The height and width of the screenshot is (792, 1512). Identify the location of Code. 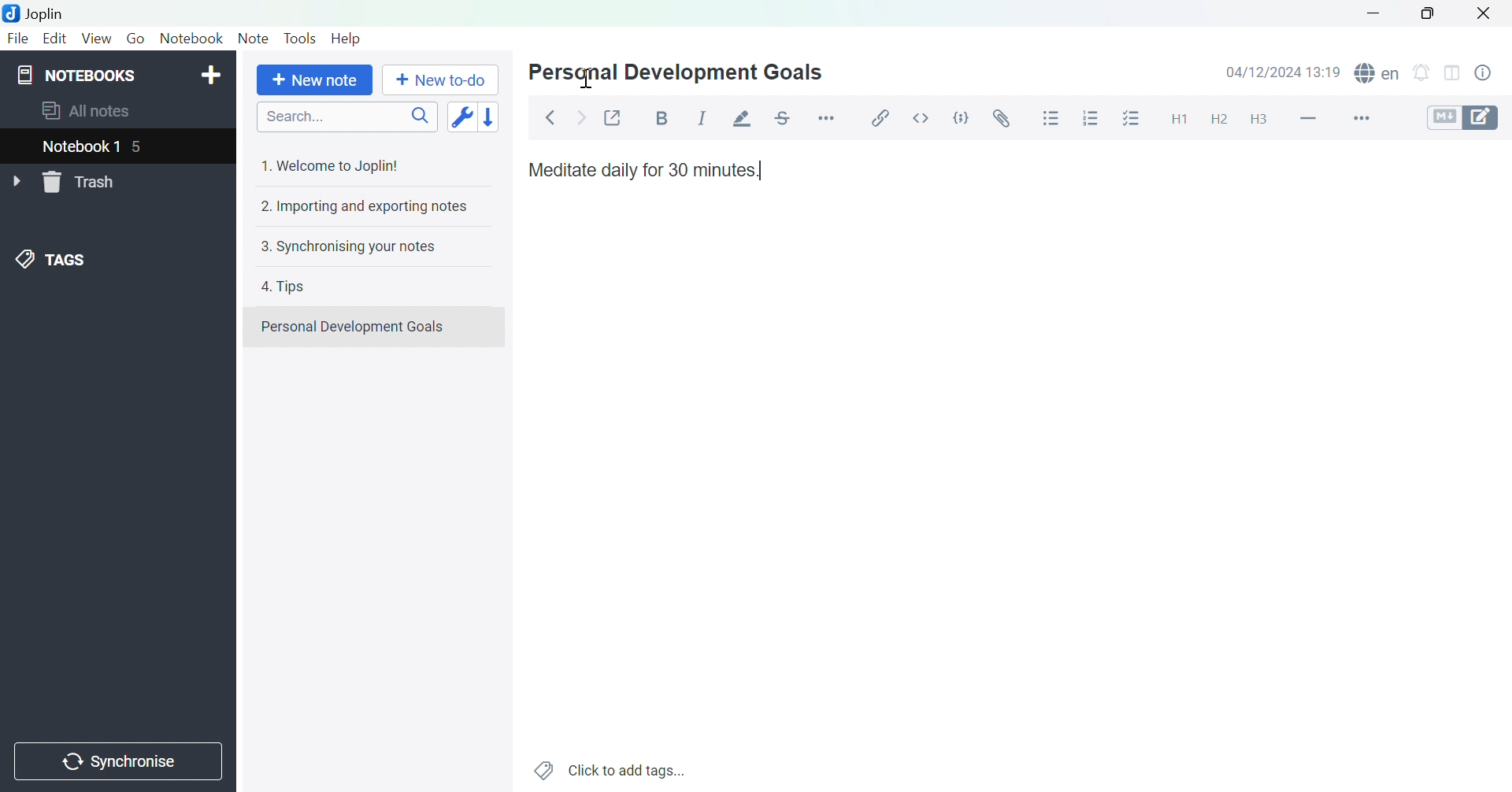
(960, 116).